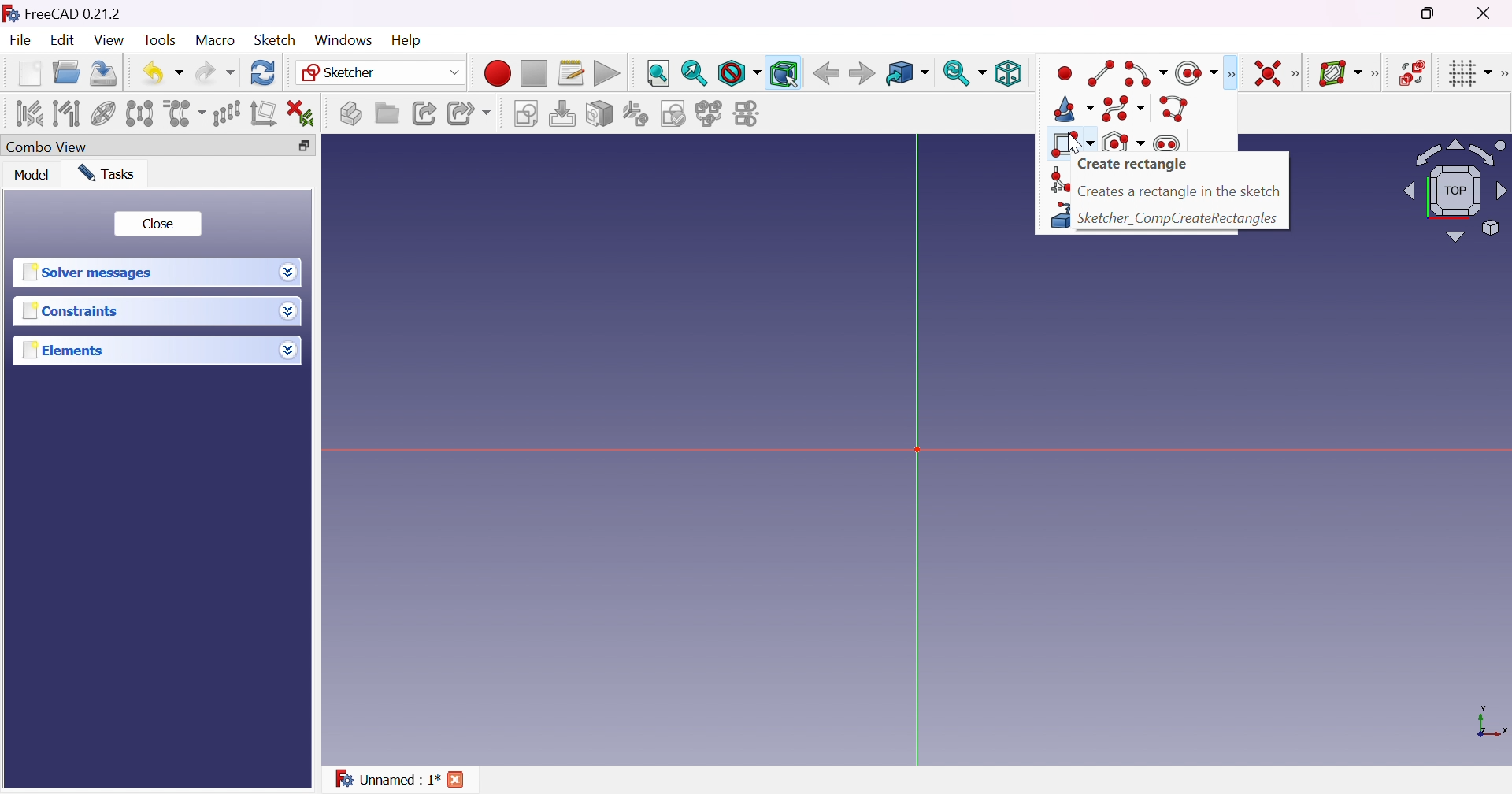 The image size is (1512, 794). What do you see at coordinates (103, 113) in the screenshot?
I see `Show/hide internal geometry` at bounding box center [103, 113].